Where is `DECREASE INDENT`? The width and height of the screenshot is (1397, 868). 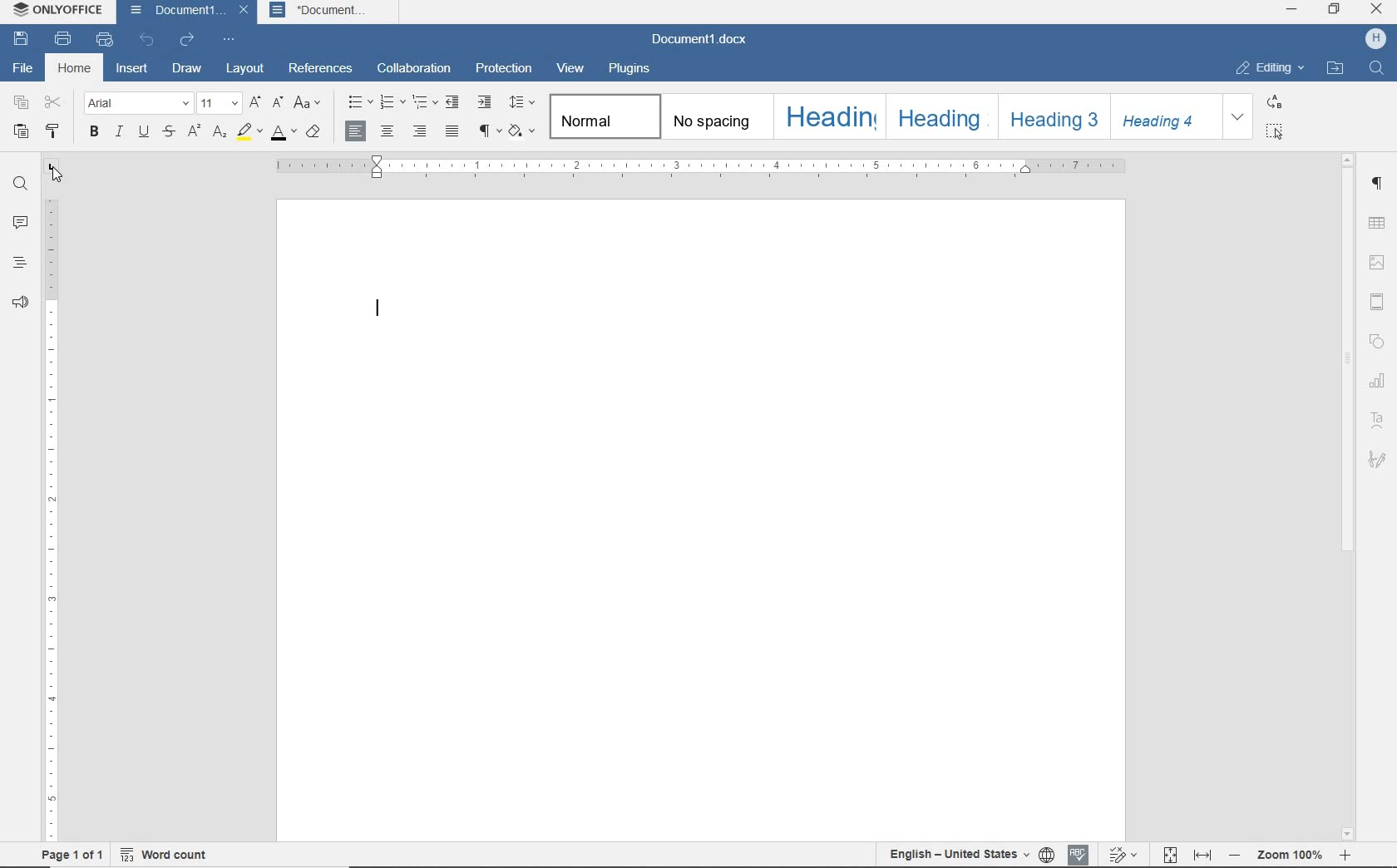
DECREASE INDENT is located at coordinates (453, 102).